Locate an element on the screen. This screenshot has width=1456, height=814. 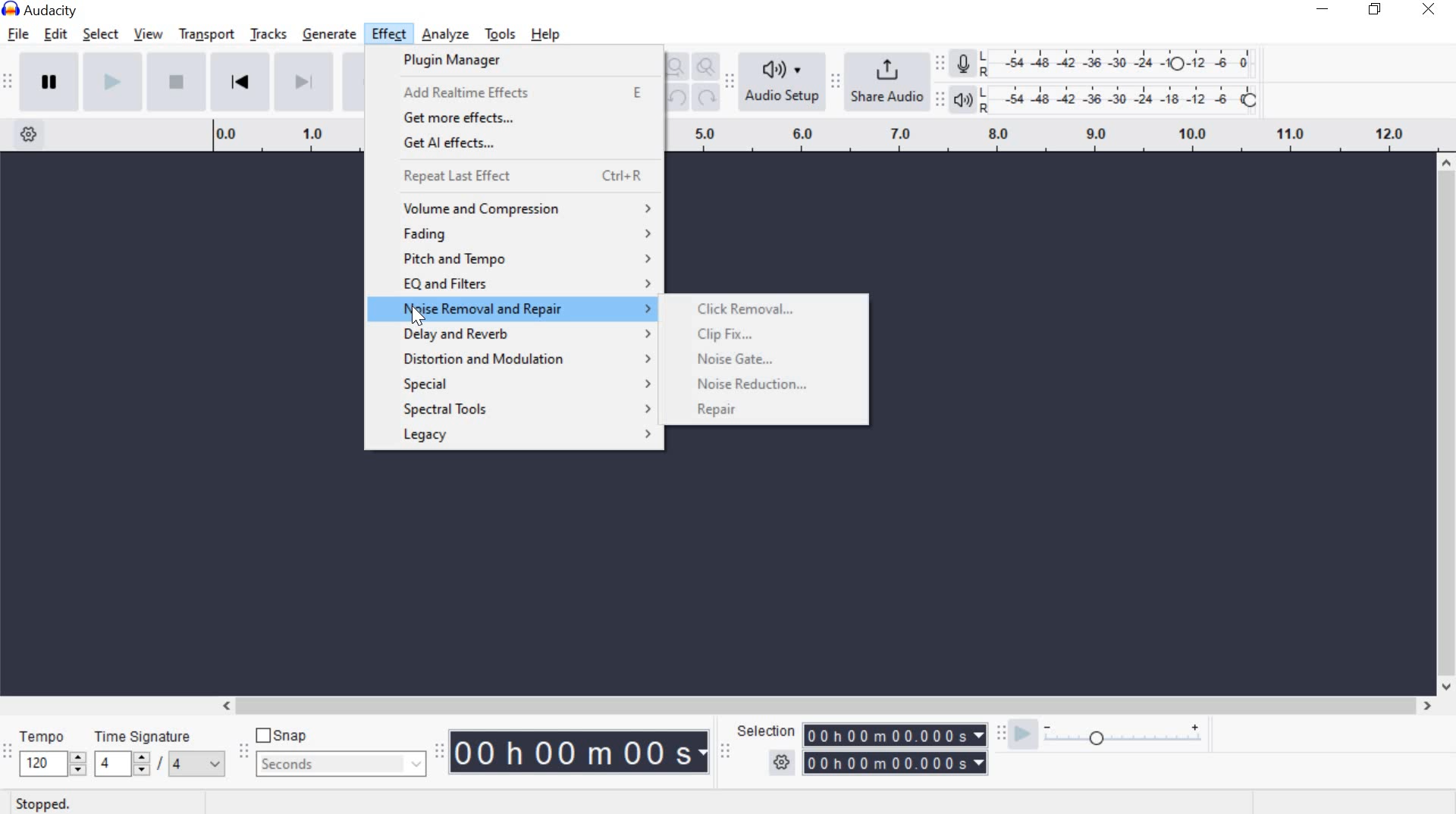
Selection toolbar is located at coordinates (726, 750).